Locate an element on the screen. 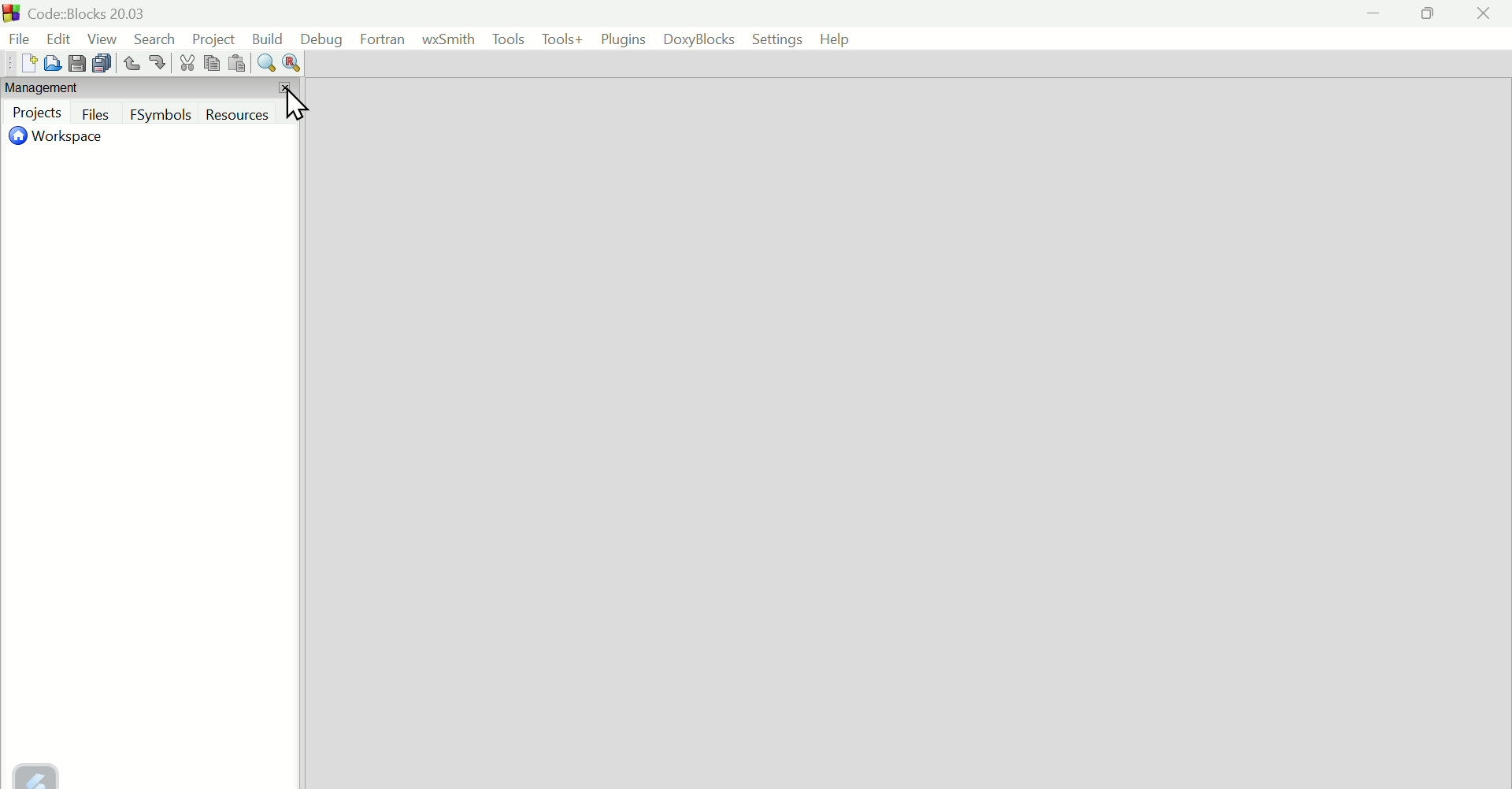 The image size is (1512, 789). help is located at coordinates (835, 39).